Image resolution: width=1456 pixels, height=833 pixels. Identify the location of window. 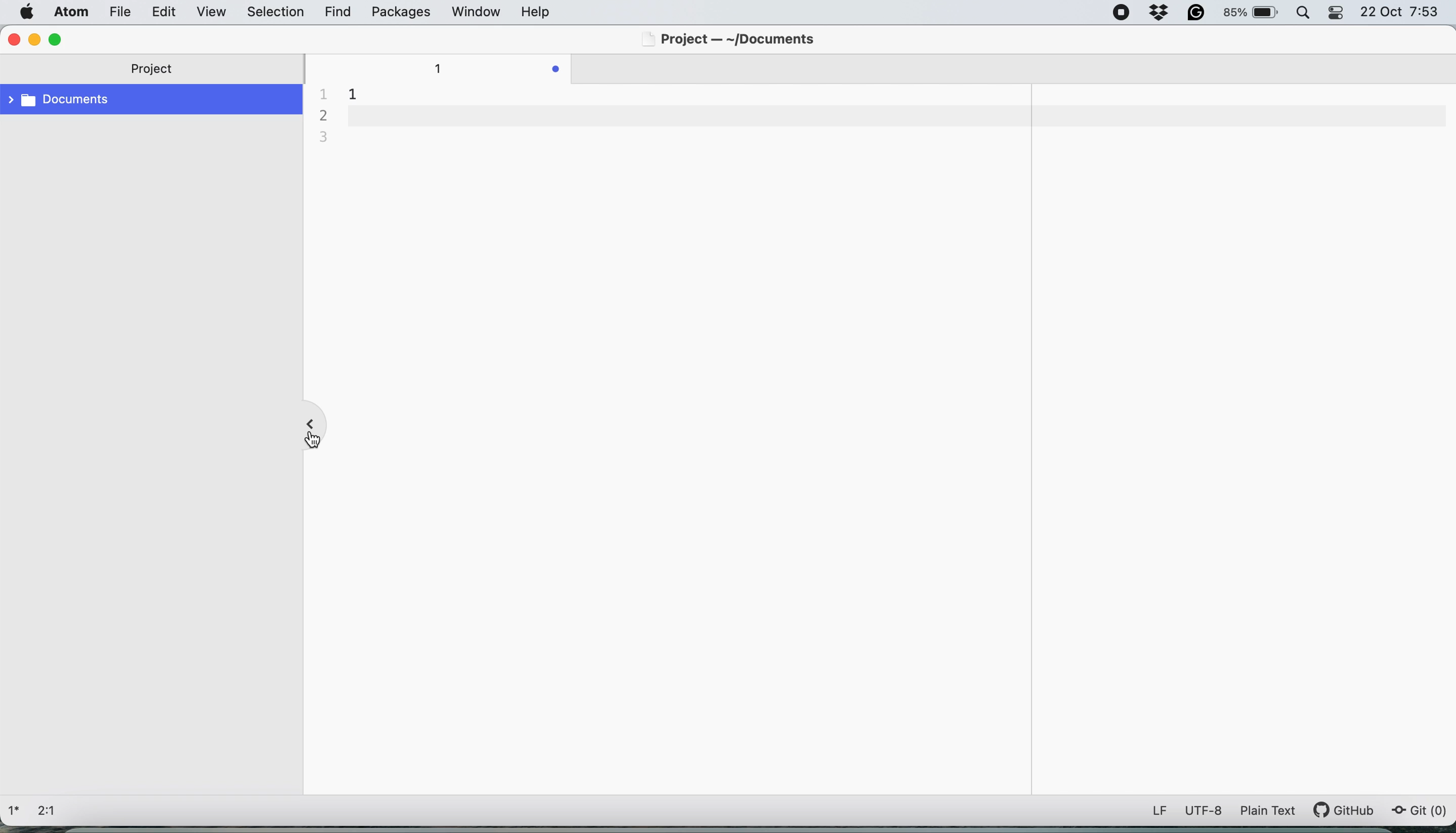
(475, 11).